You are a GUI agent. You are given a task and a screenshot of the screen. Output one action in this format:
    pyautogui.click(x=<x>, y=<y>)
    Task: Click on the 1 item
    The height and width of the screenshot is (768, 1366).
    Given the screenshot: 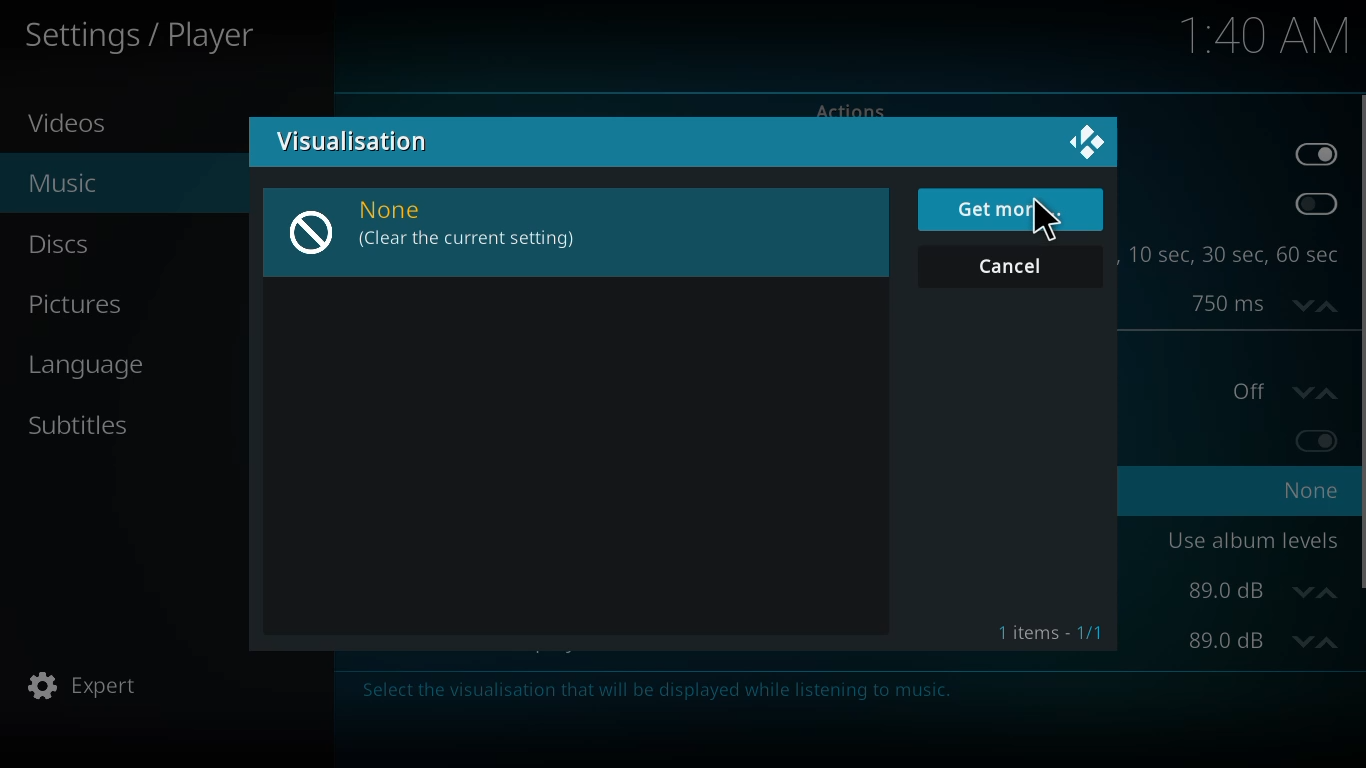 What is the action you would take?
    pyautogui.click(x=1044, y=630)
    